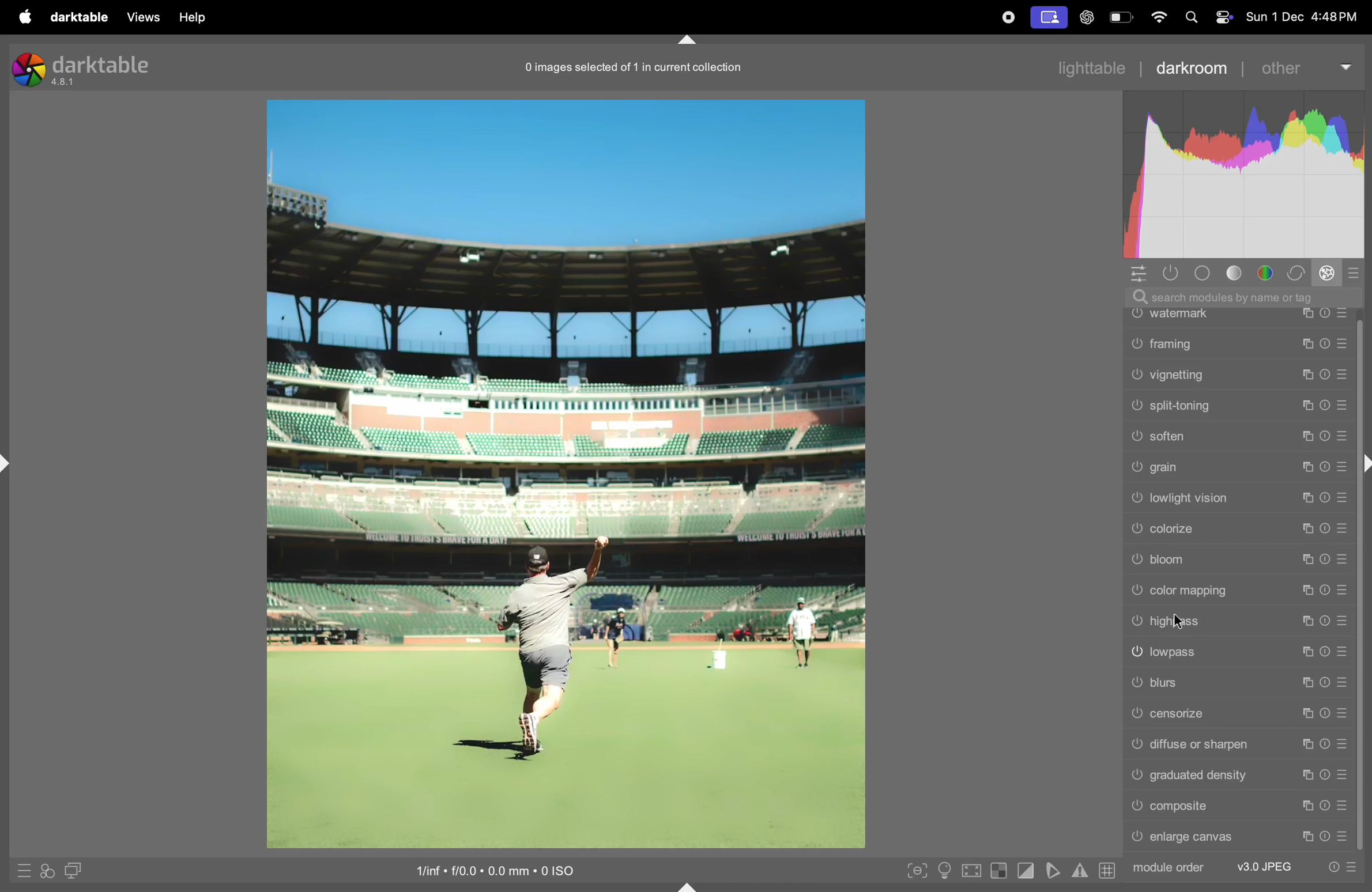  Describe the element at coordinates (1238, 774) in the screenshot. I see `gratitude density` at that location.